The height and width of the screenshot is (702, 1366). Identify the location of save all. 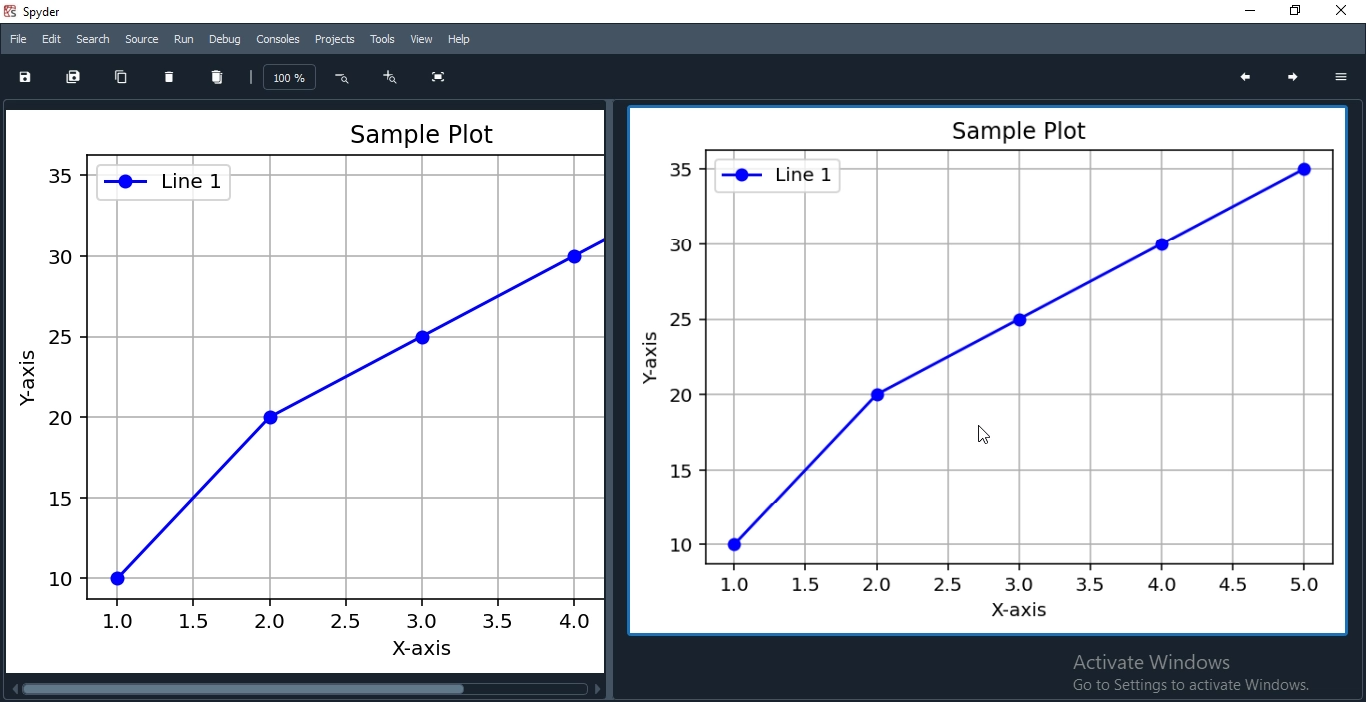
(74, 76).